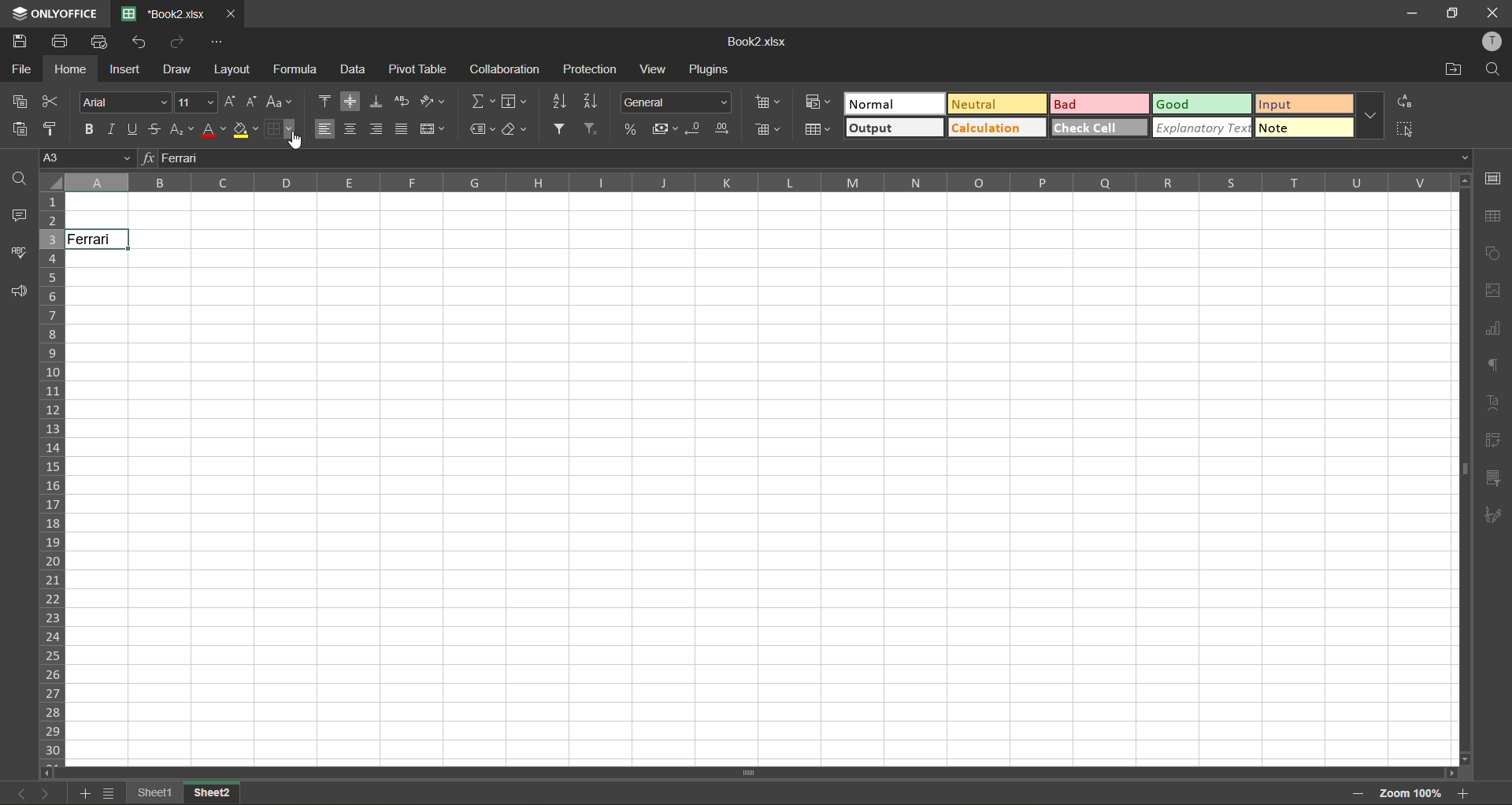 The image size is (1512, 805). I want to click on zoom factor, so click(1414, 793).